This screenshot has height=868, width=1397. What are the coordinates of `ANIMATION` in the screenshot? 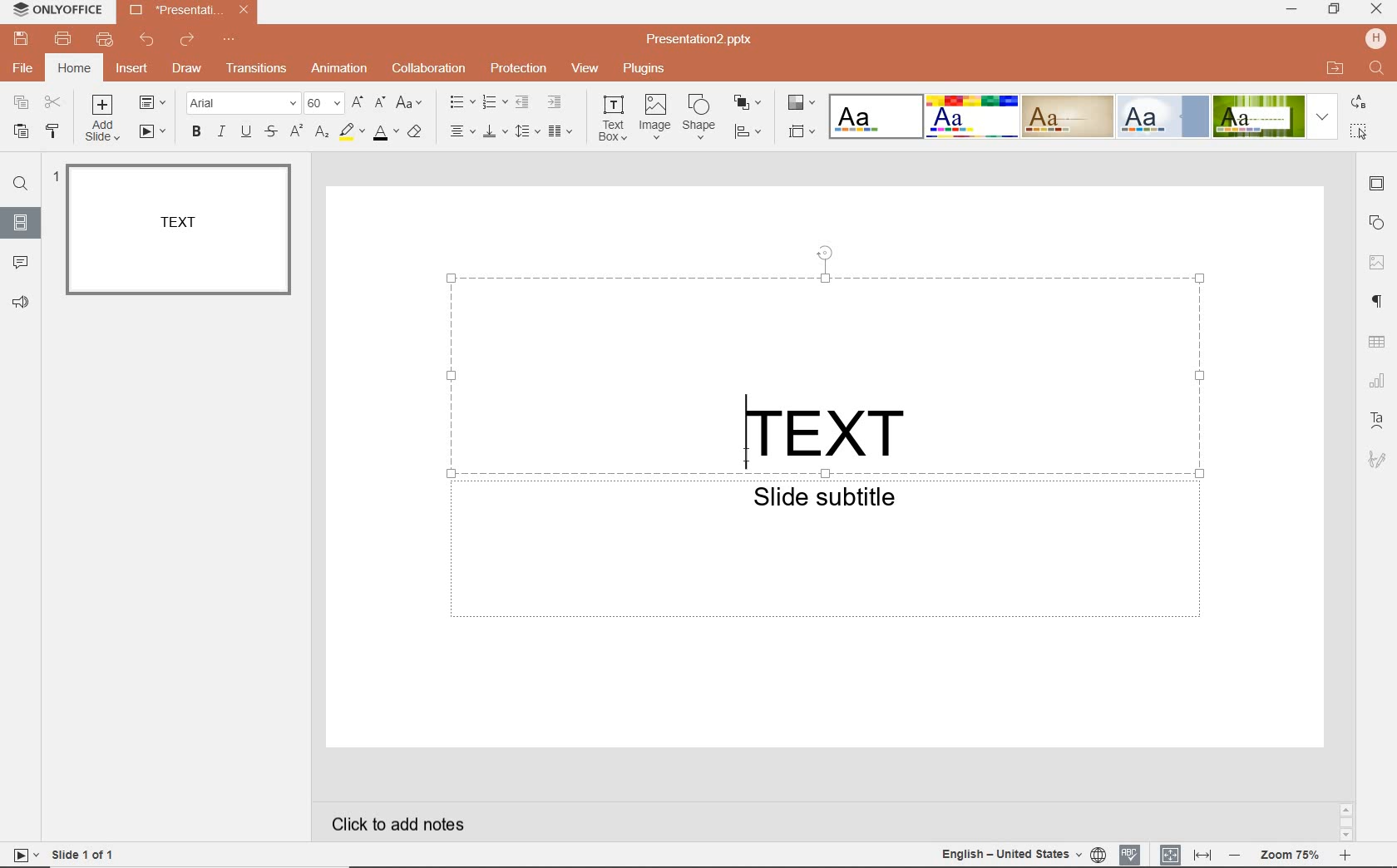 It's located at (339, 70).